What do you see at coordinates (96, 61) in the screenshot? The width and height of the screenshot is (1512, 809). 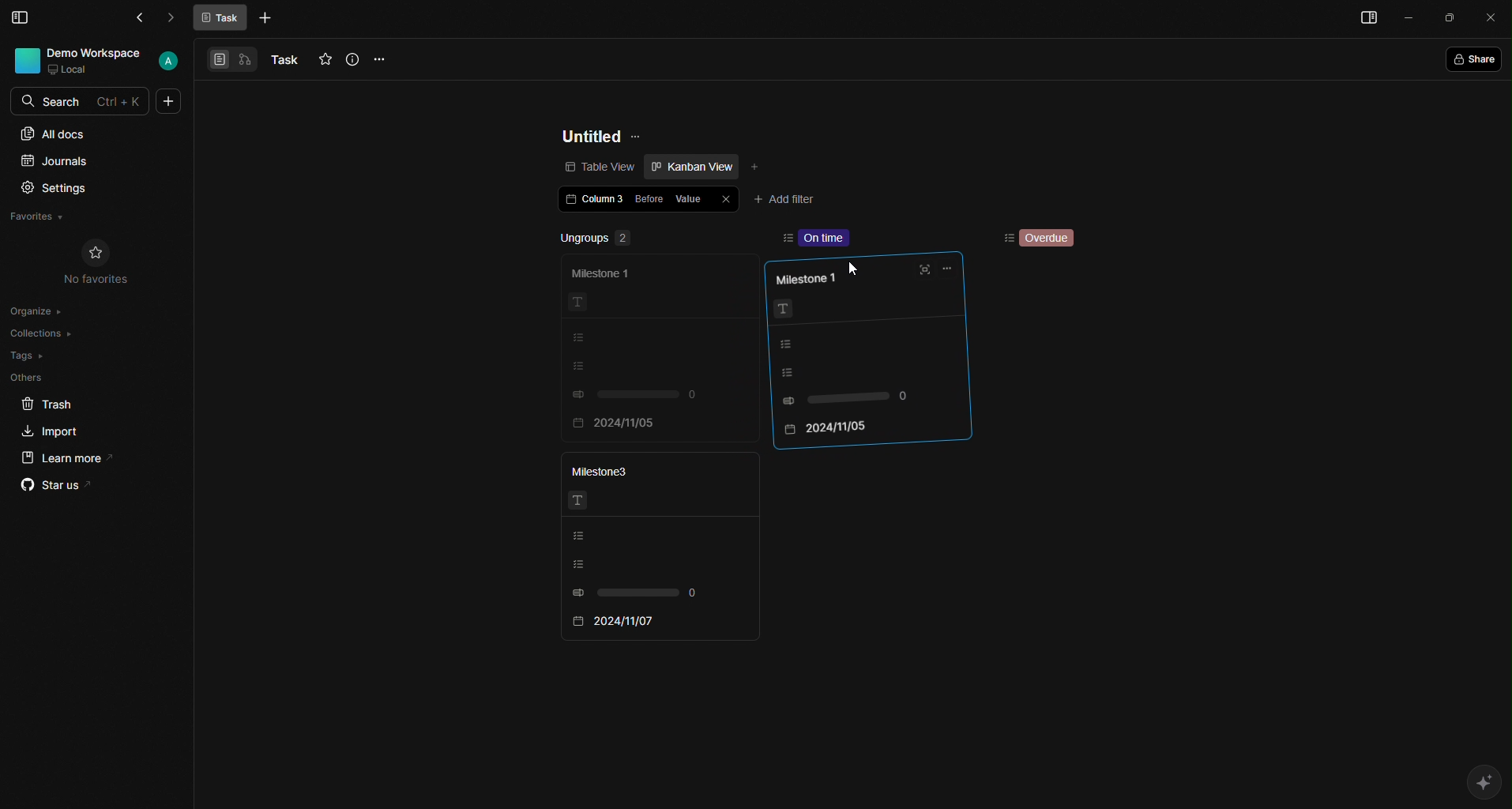 I see `User` at bounding box center [96, 61].